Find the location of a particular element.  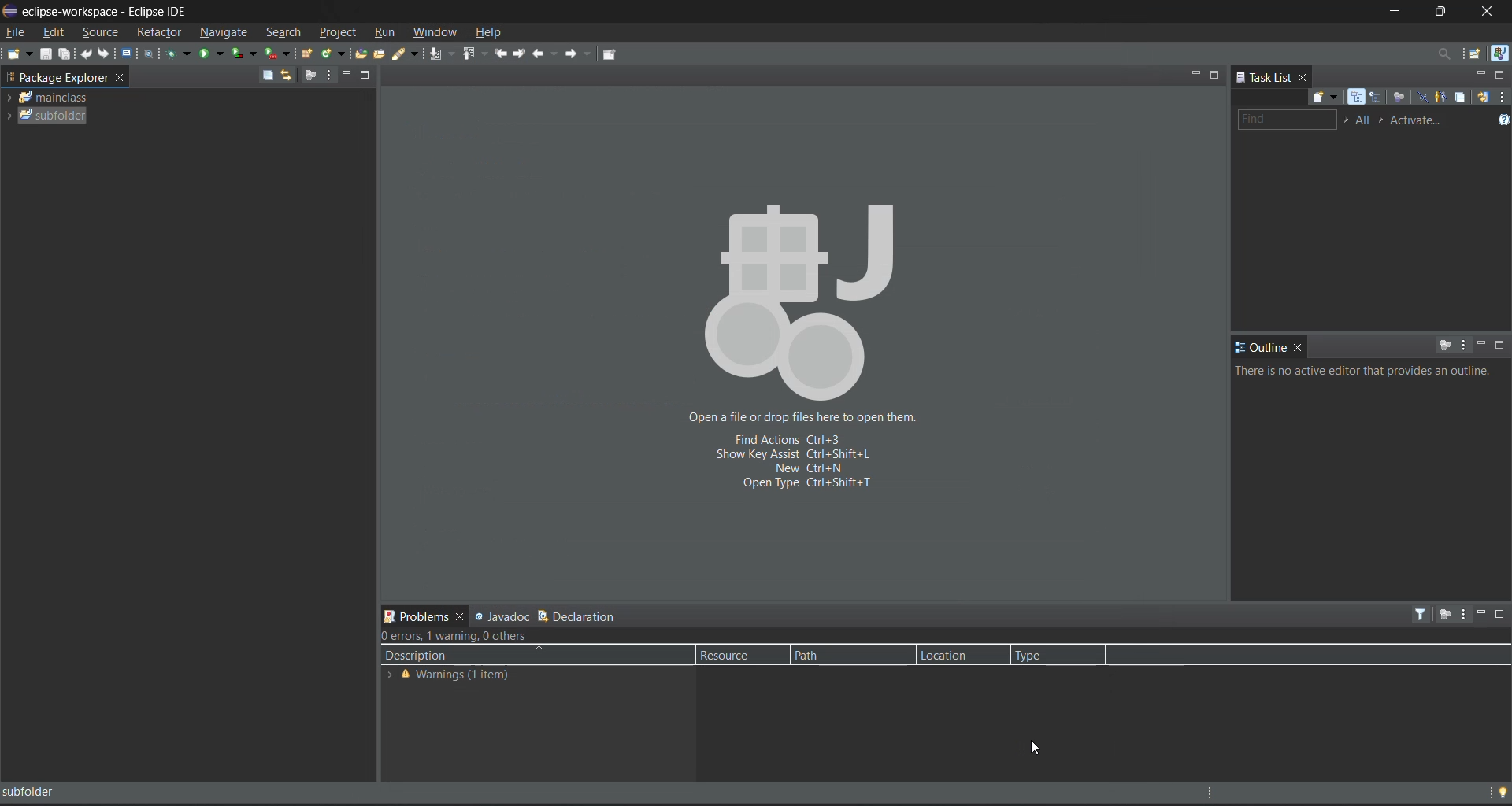

subfolder is located at coordinates (46, 791).